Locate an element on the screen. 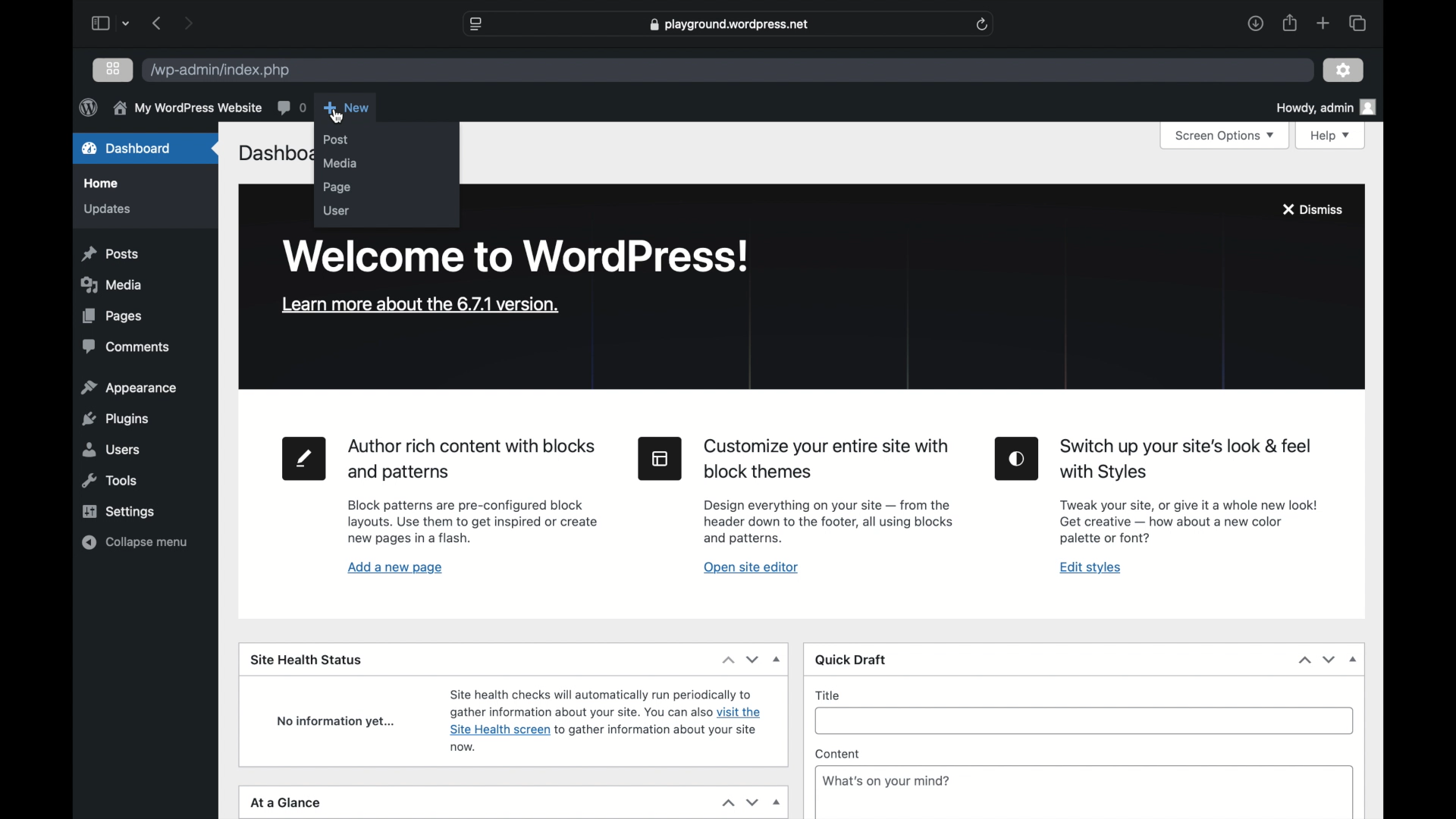  plugins is located at coordinates (115, 419).